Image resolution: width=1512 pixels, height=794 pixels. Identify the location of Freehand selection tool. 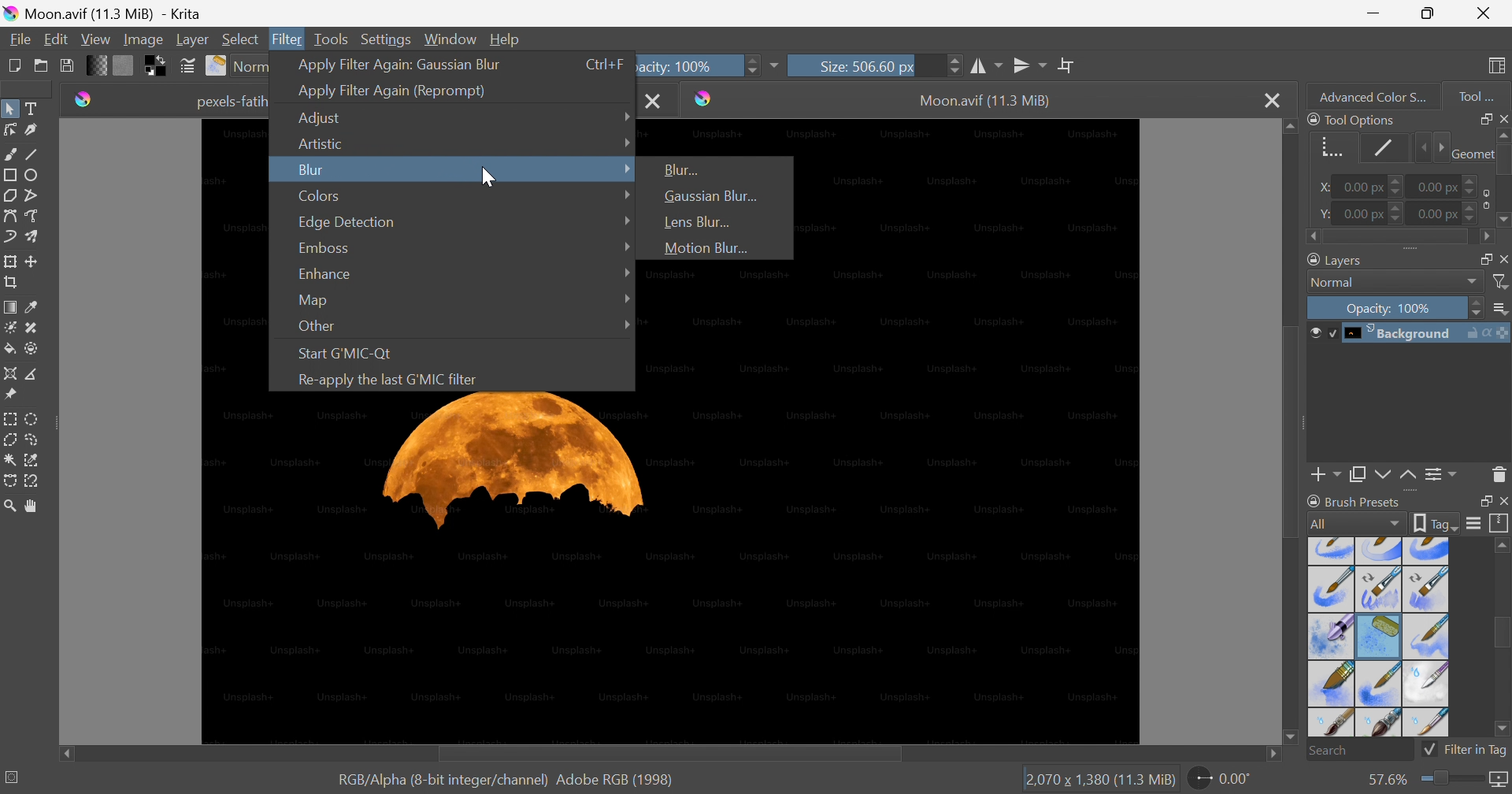
(35, 439).